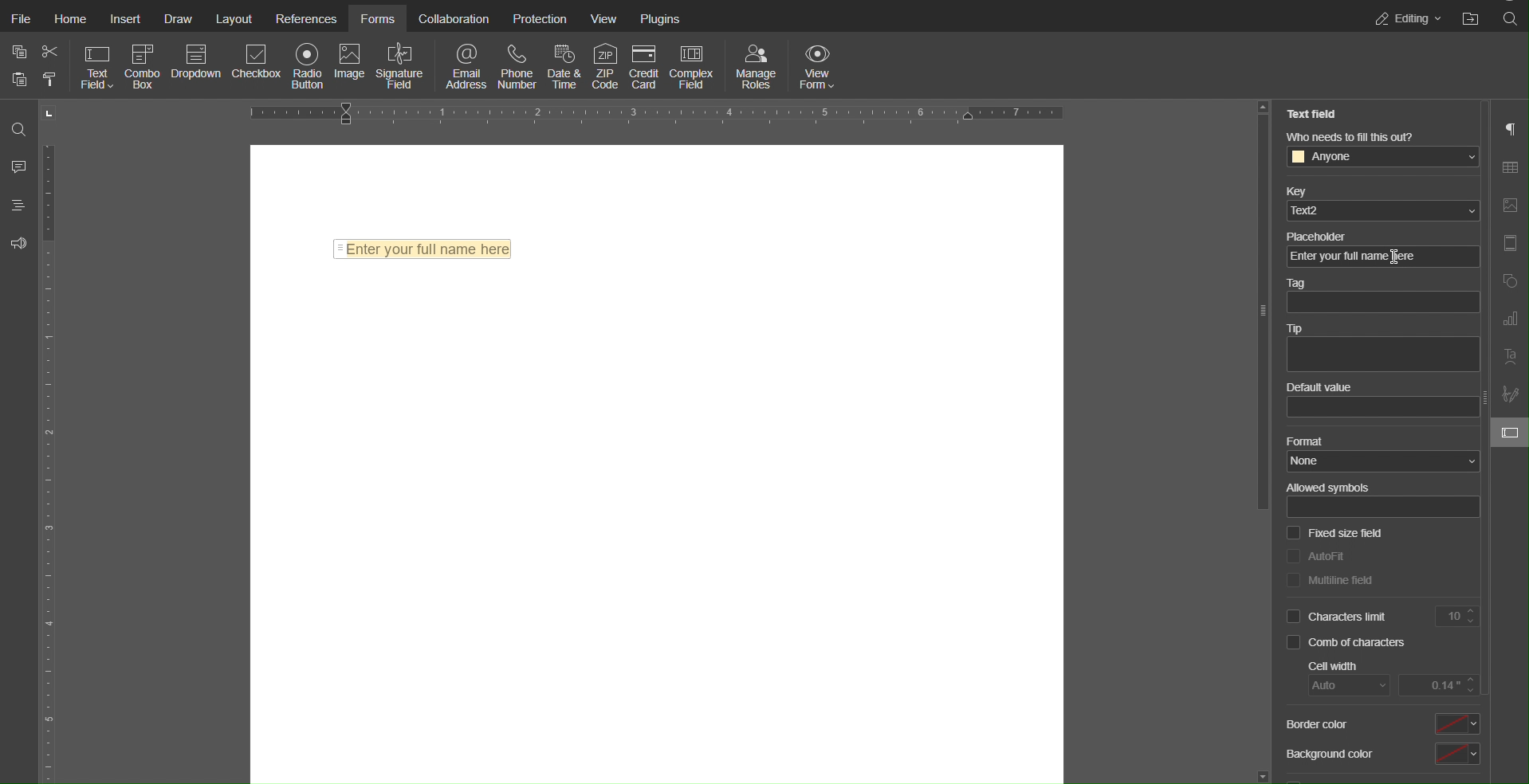 The image size is (1529, 784). I want to click on Comb of characters, so click(1346, 643).